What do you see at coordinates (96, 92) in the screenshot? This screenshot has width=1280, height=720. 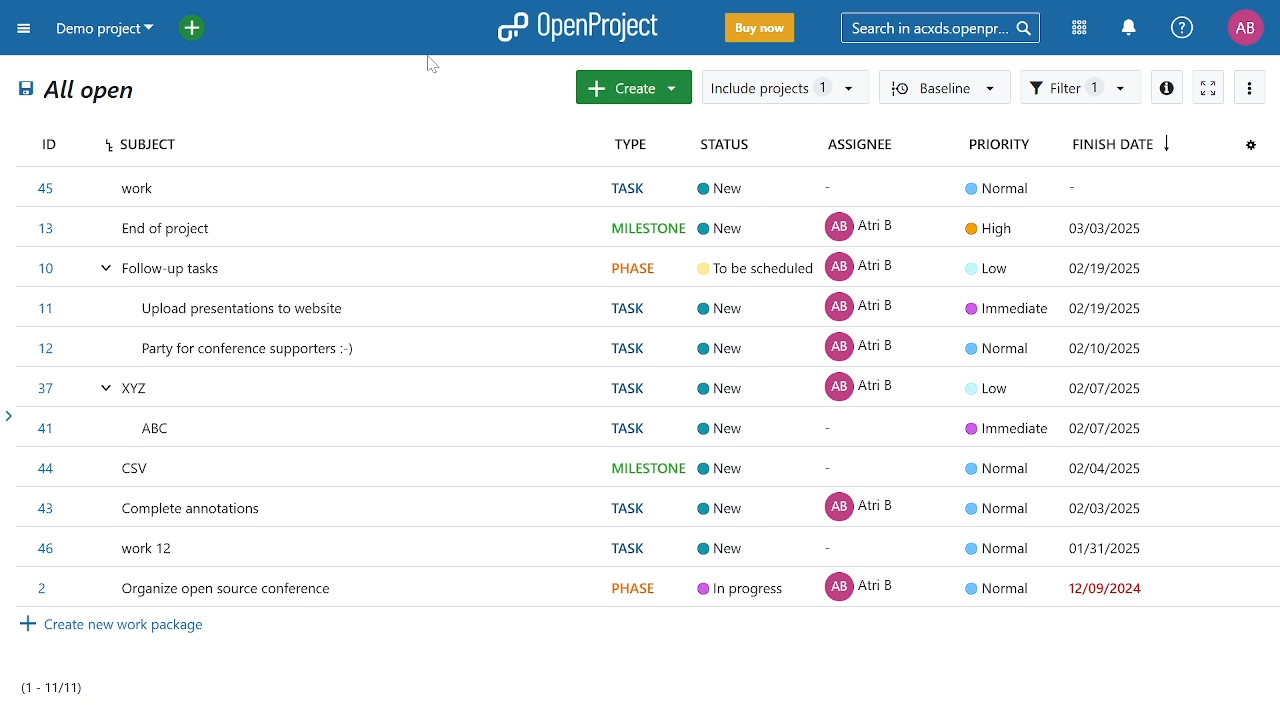 I see `All open` at bounding box center [96, 92].